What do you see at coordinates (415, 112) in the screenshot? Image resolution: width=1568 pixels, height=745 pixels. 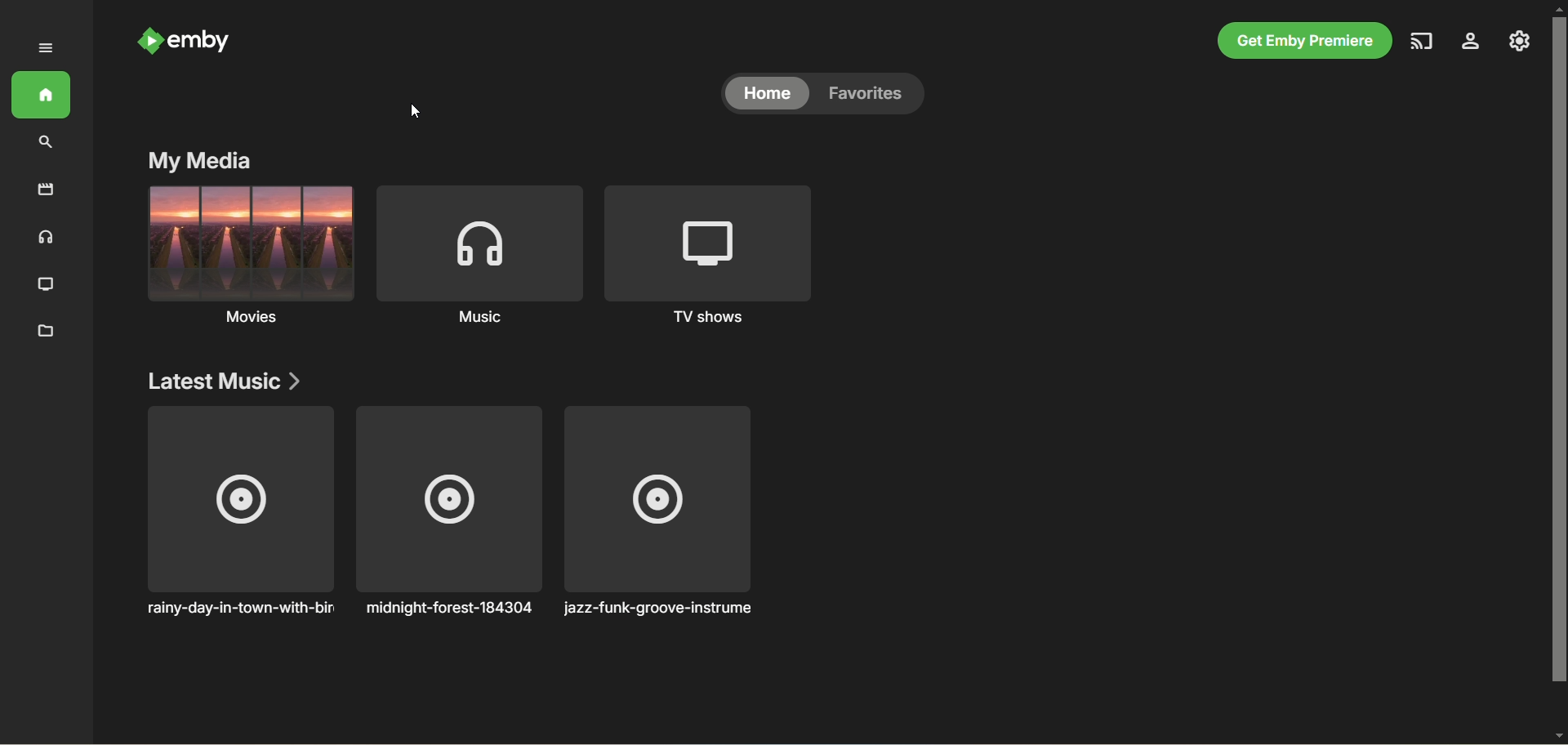 I see `cursor` at bounding box center [415, 112].